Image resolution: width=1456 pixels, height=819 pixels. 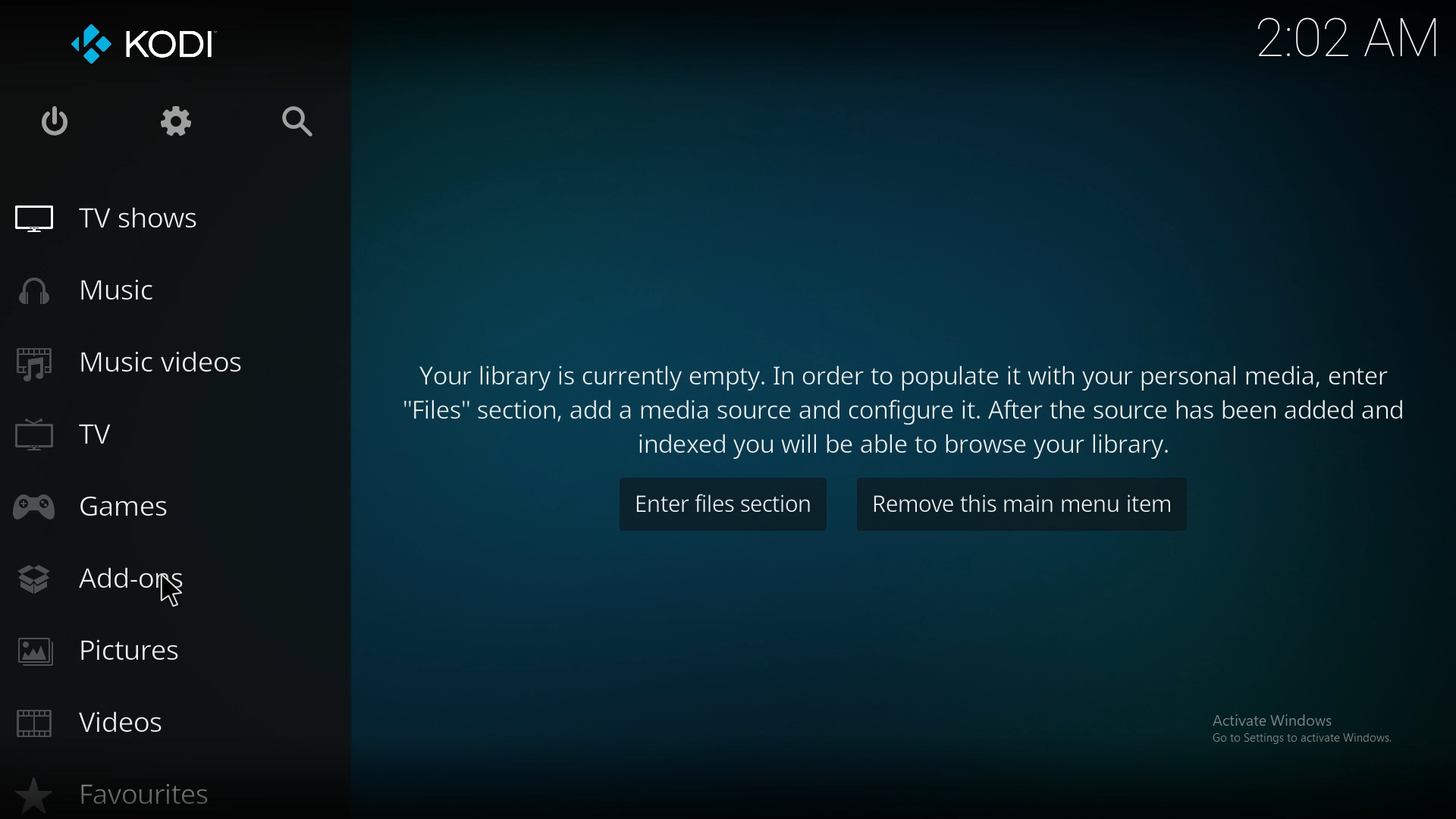 I want to click on add ons, so click(x=80, y=581).